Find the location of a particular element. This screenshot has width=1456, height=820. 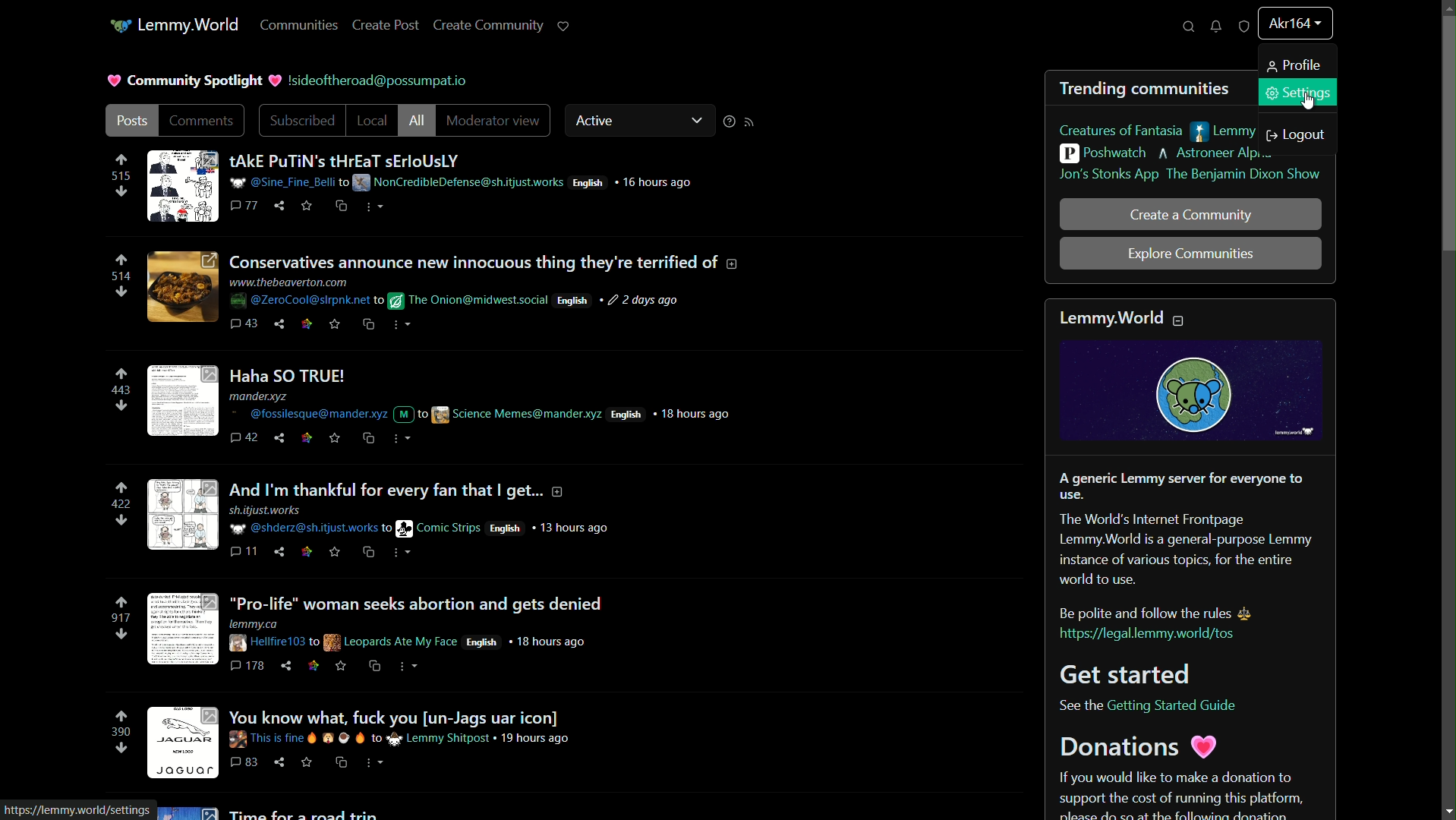

number of votes is located at coordinates (121, 276).